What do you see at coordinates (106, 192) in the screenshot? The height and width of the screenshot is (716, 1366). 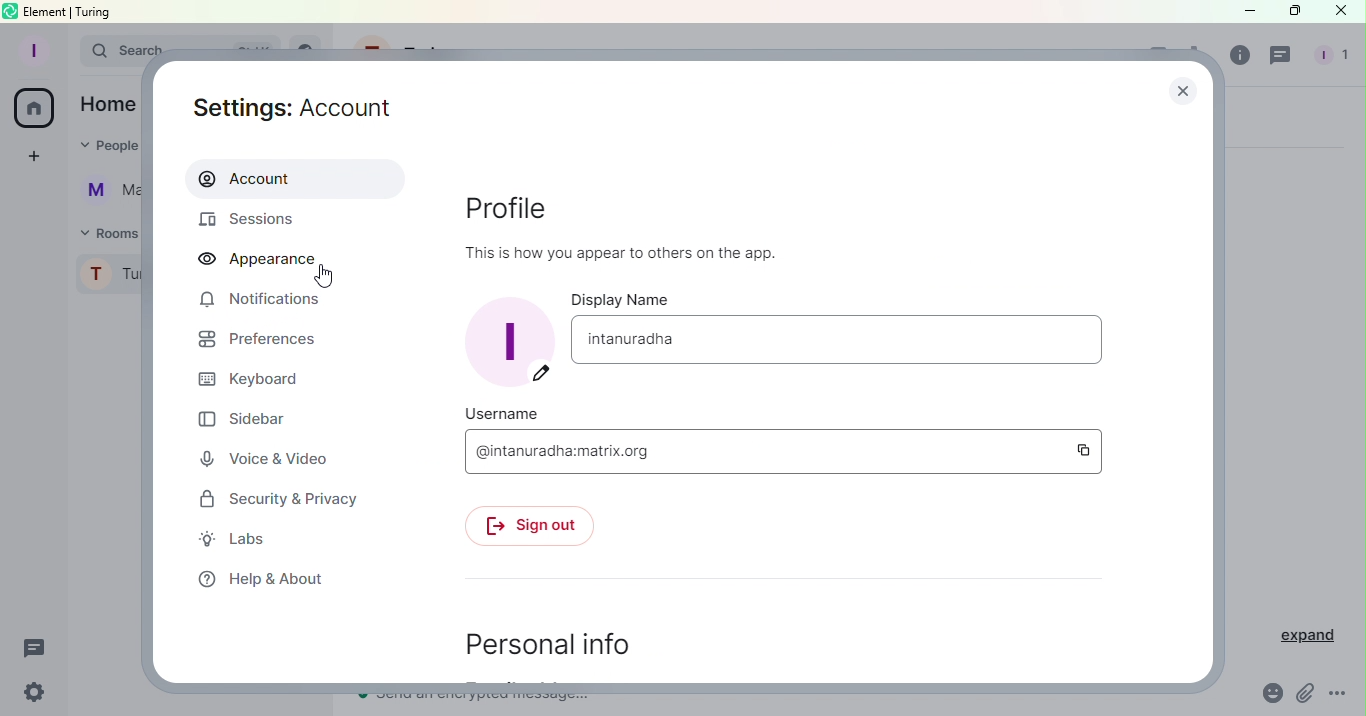 I see `Martina Tornello` at bounding box center [106, 192].